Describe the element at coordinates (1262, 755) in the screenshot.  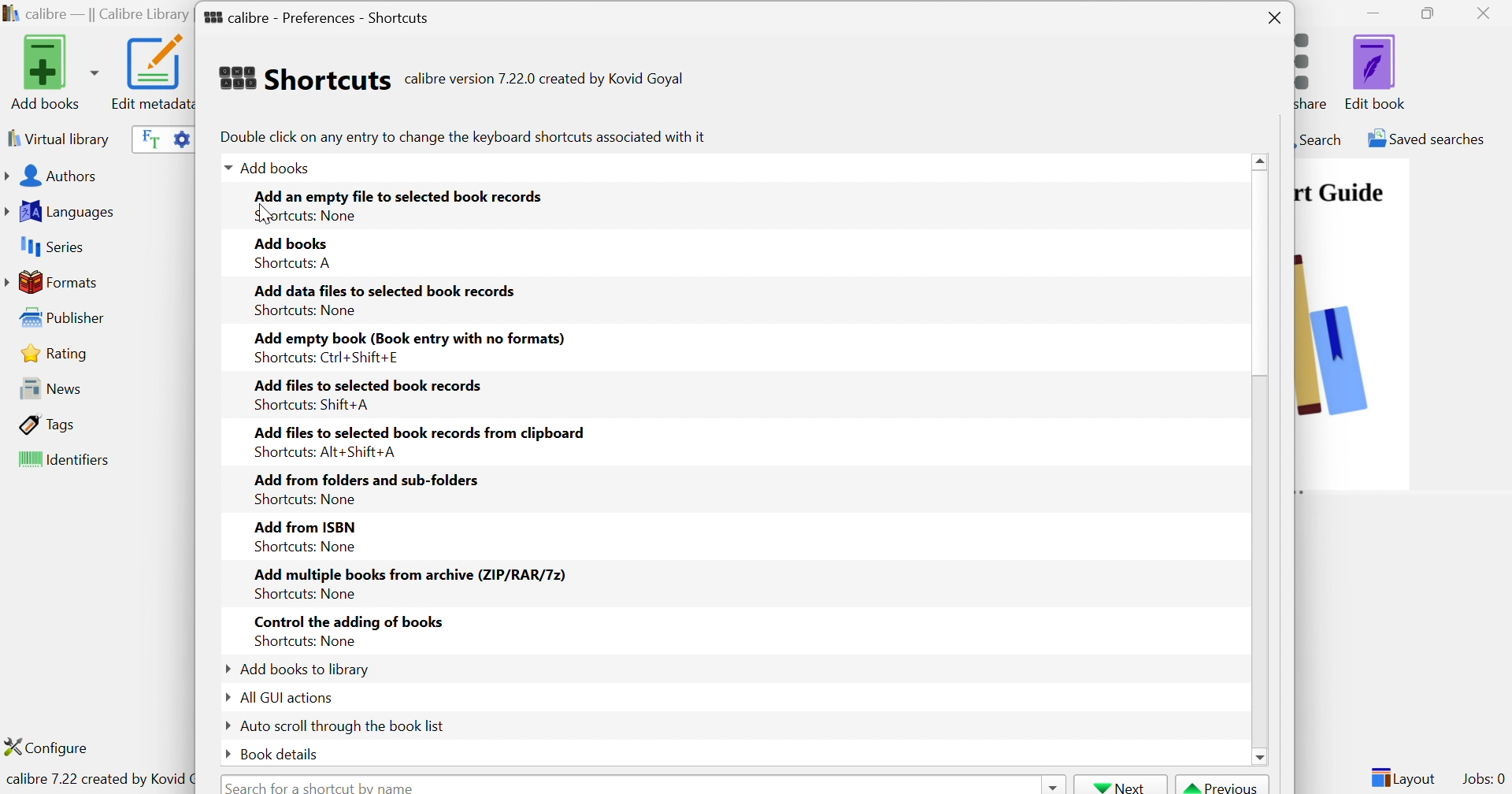
I see `scroll down` at that location.